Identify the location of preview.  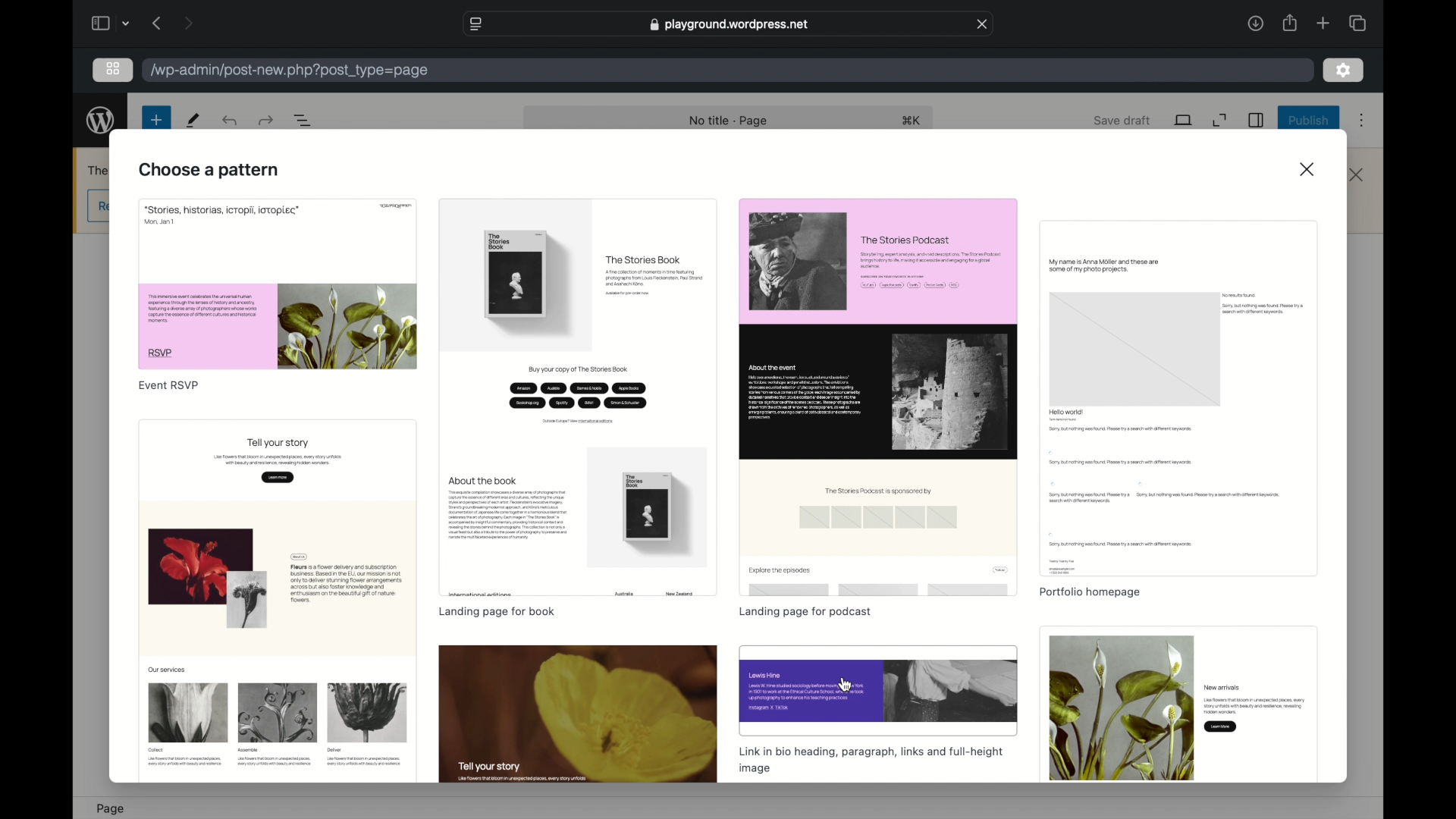
(878, 397).